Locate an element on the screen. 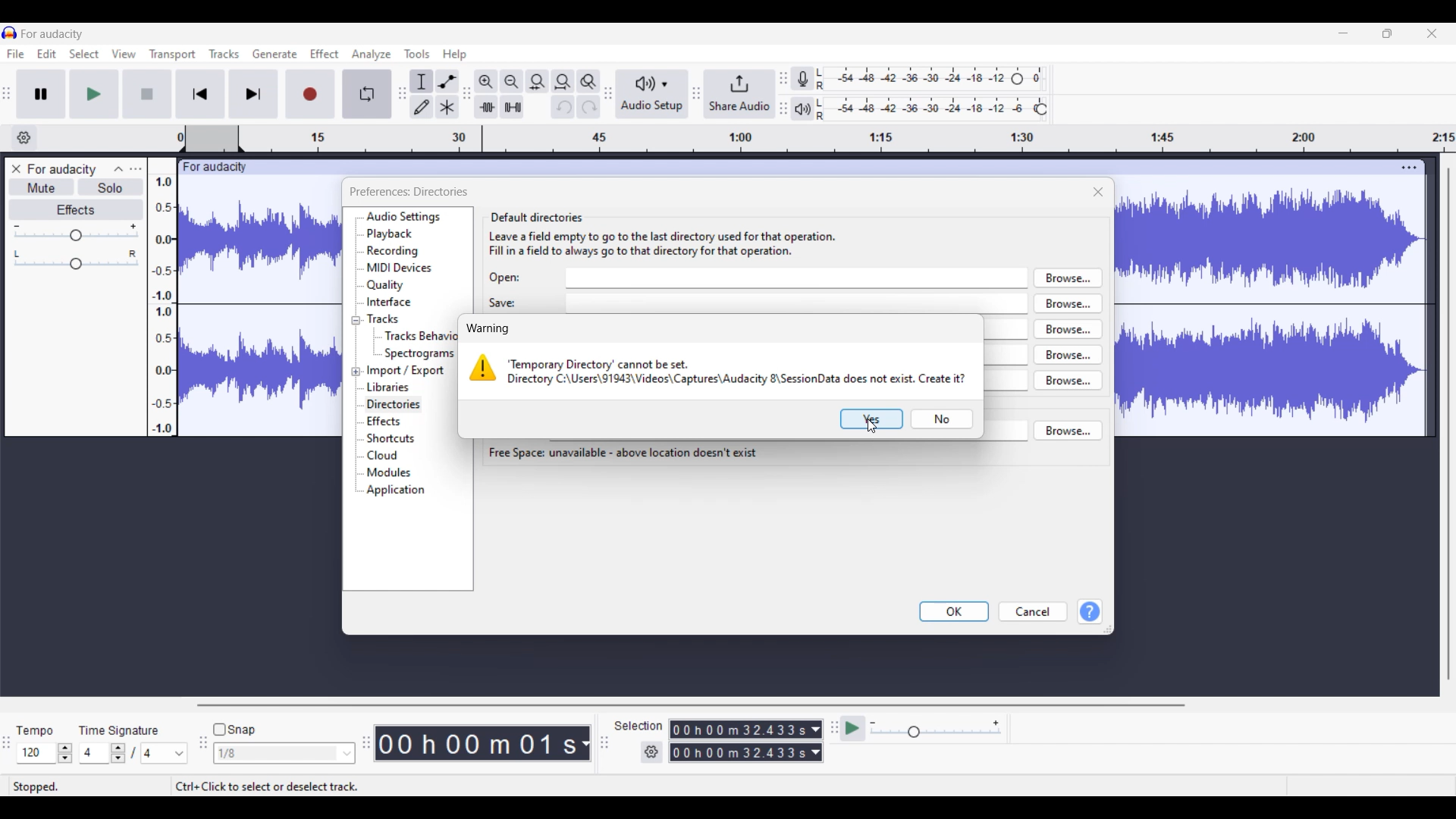 The height and width of the screenshot is (819, 1456). Enable looping is located at coordinates (367, 93).